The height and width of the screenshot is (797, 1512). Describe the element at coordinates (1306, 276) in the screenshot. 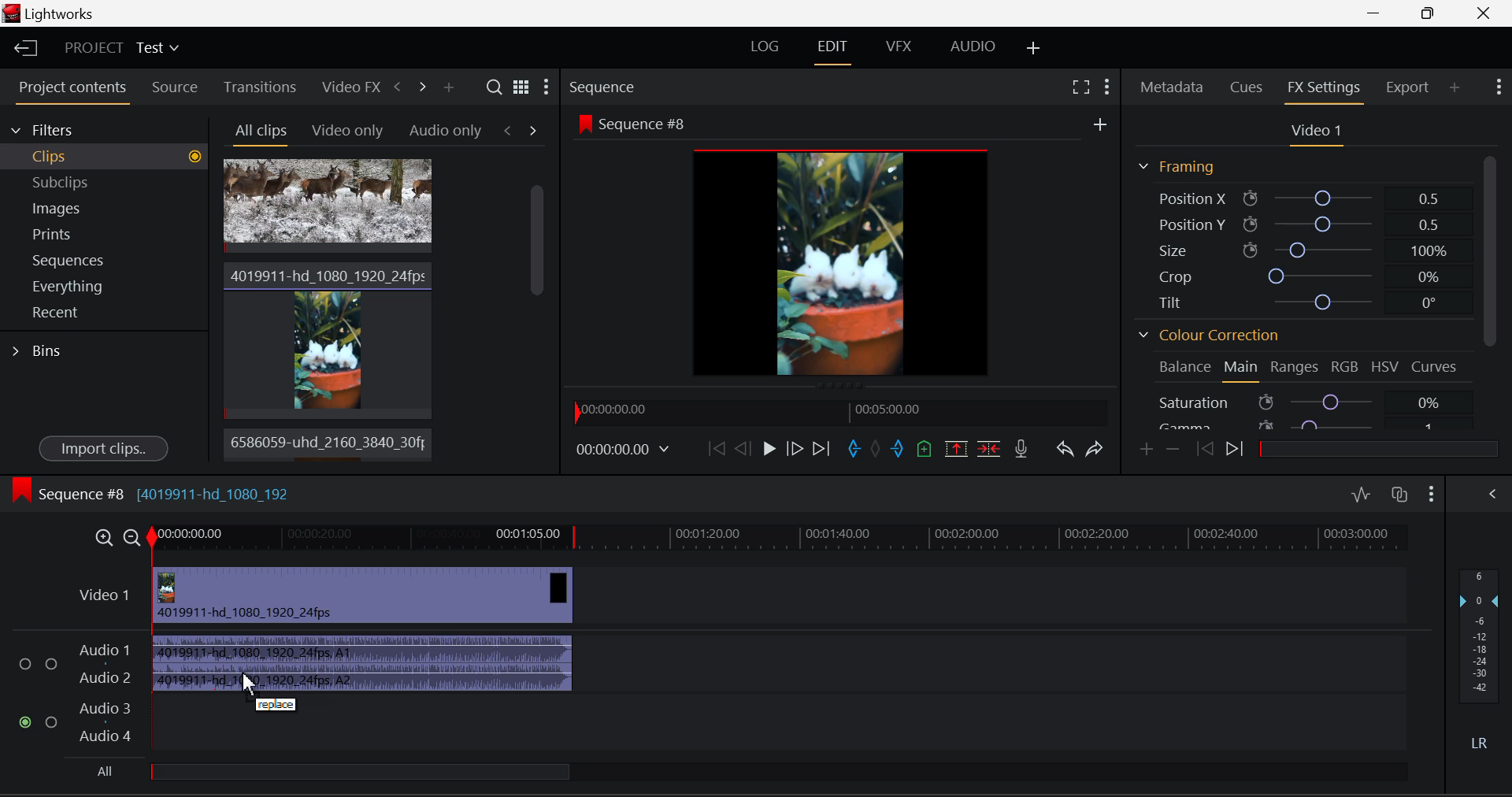

I see `Crop` at that location.